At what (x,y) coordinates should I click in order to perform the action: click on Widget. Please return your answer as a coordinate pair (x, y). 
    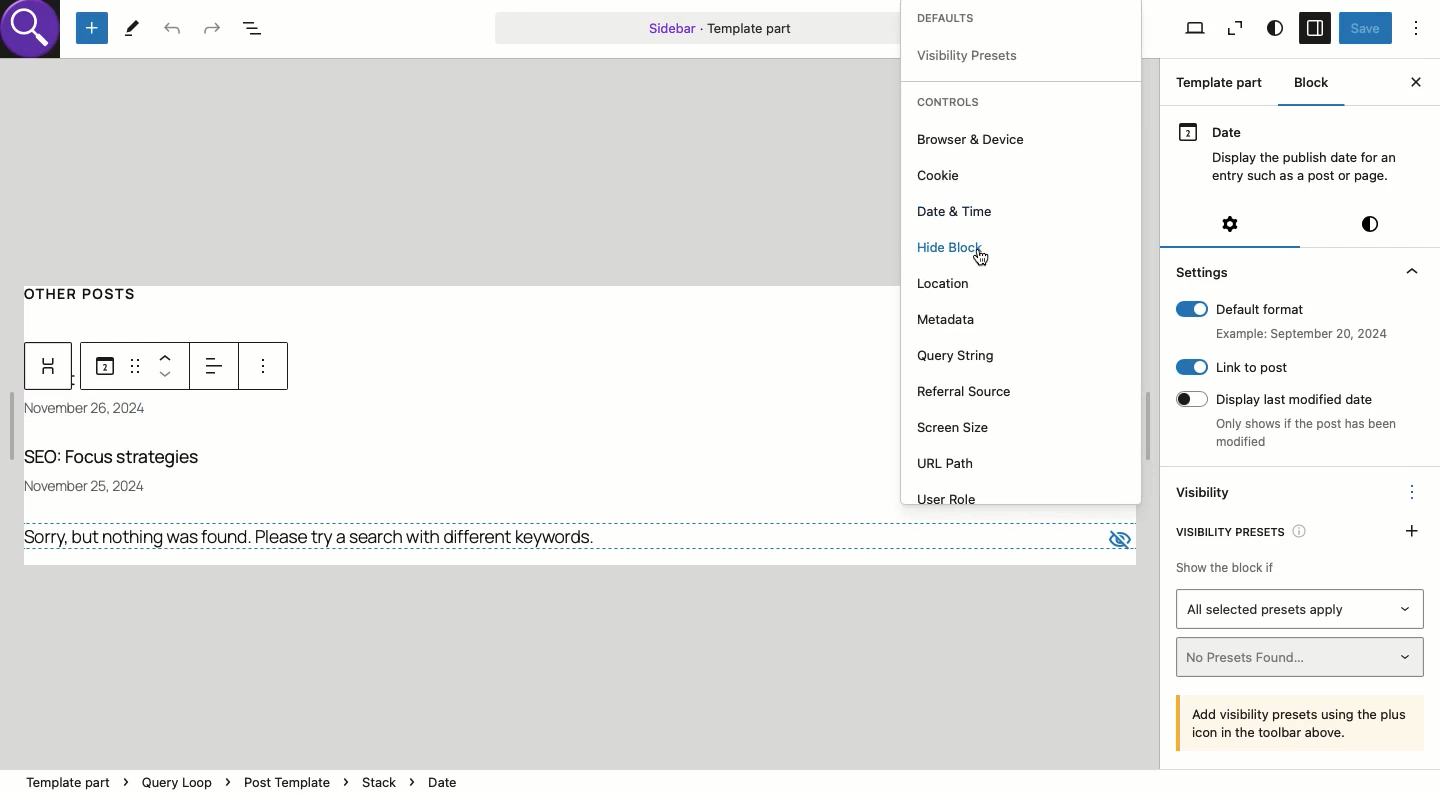
    Looking at the image, I should click on (50, 367).